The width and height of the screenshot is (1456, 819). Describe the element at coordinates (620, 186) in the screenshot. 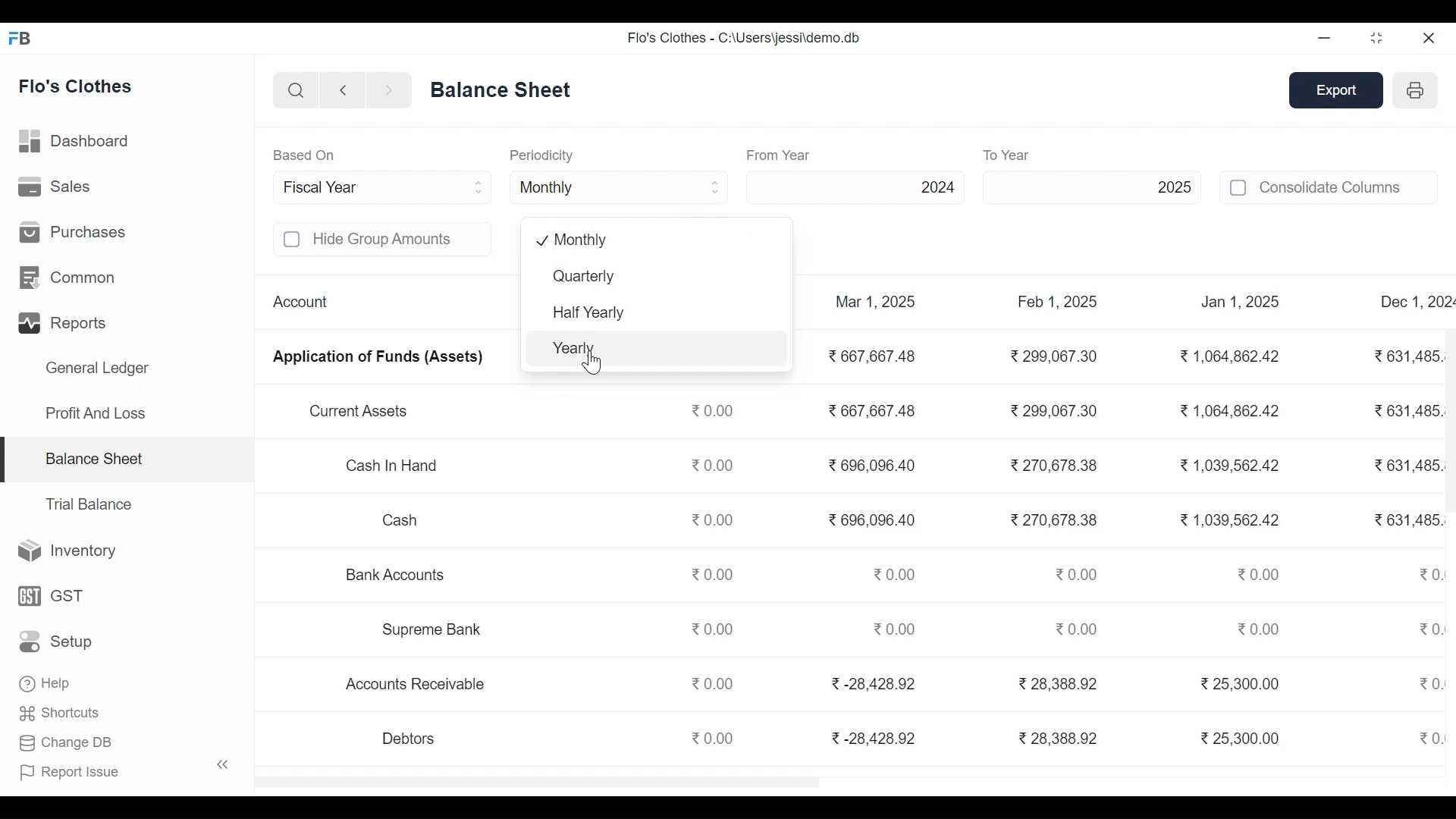

I see `Monthly` at that location.